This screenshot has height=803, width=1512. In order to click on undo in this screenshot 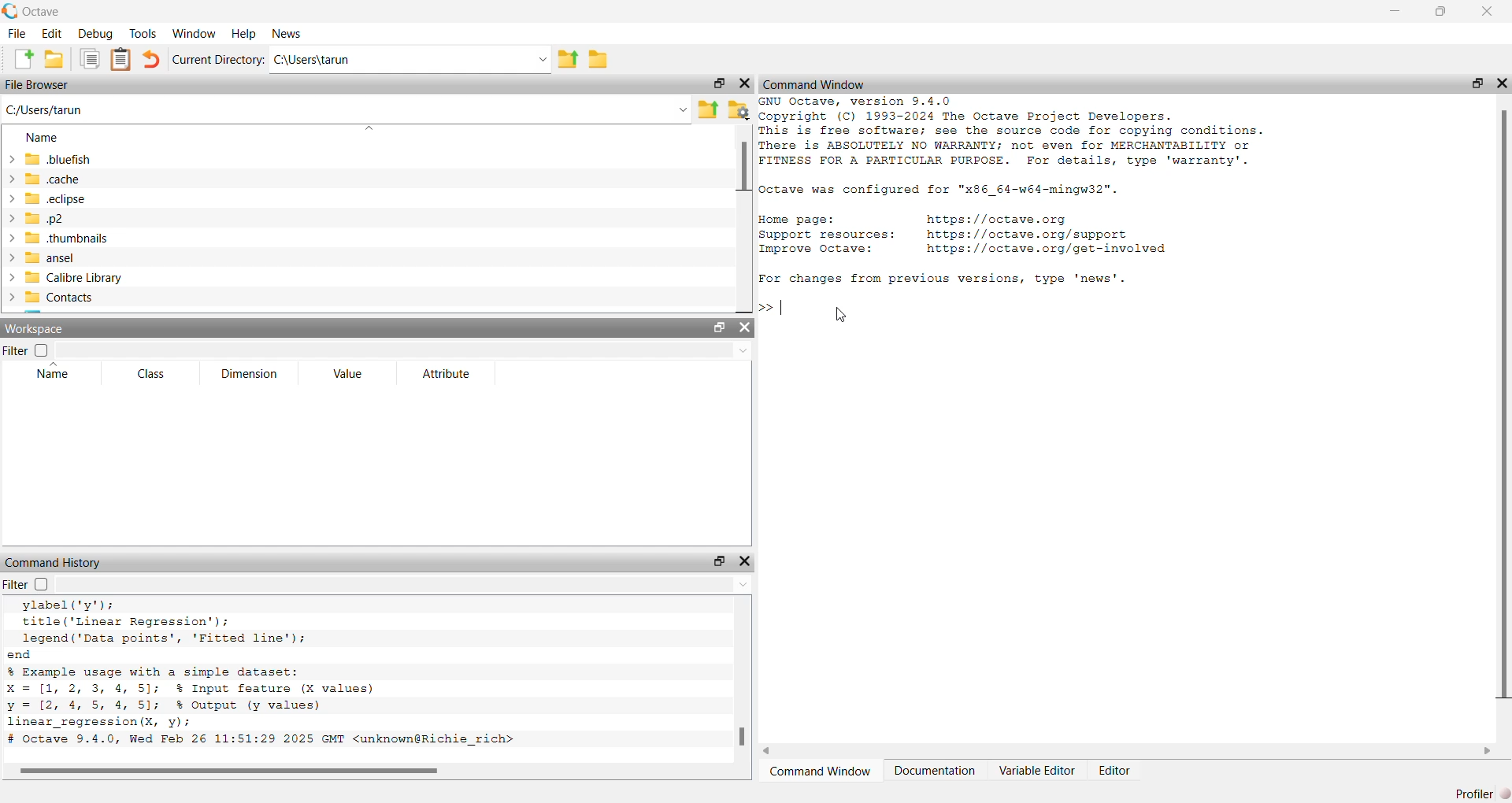, I will do `click(154, 60)`.